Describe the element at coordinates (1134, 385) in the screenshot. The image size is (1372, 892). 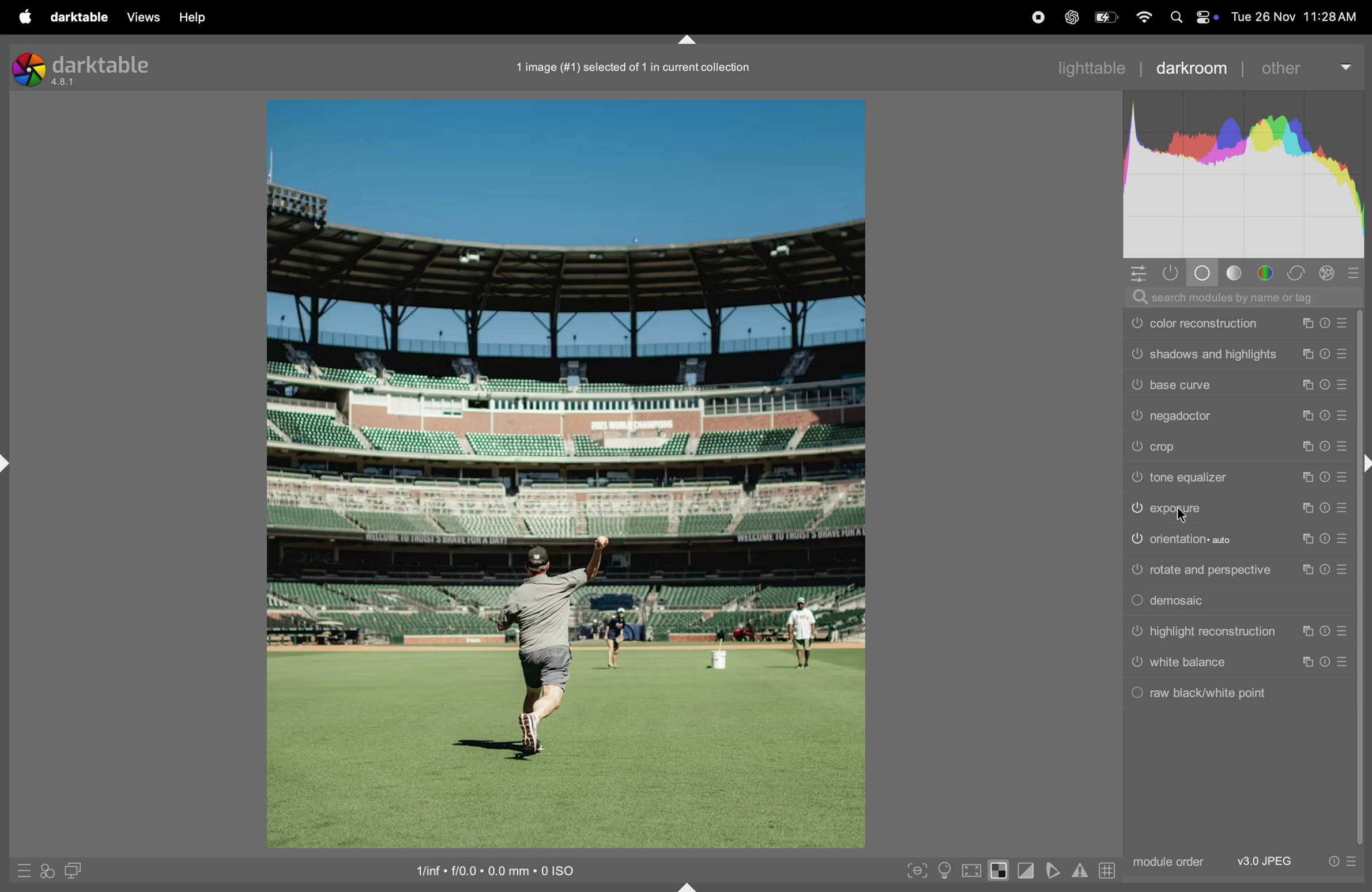
I see `Switch on or off` at that location.